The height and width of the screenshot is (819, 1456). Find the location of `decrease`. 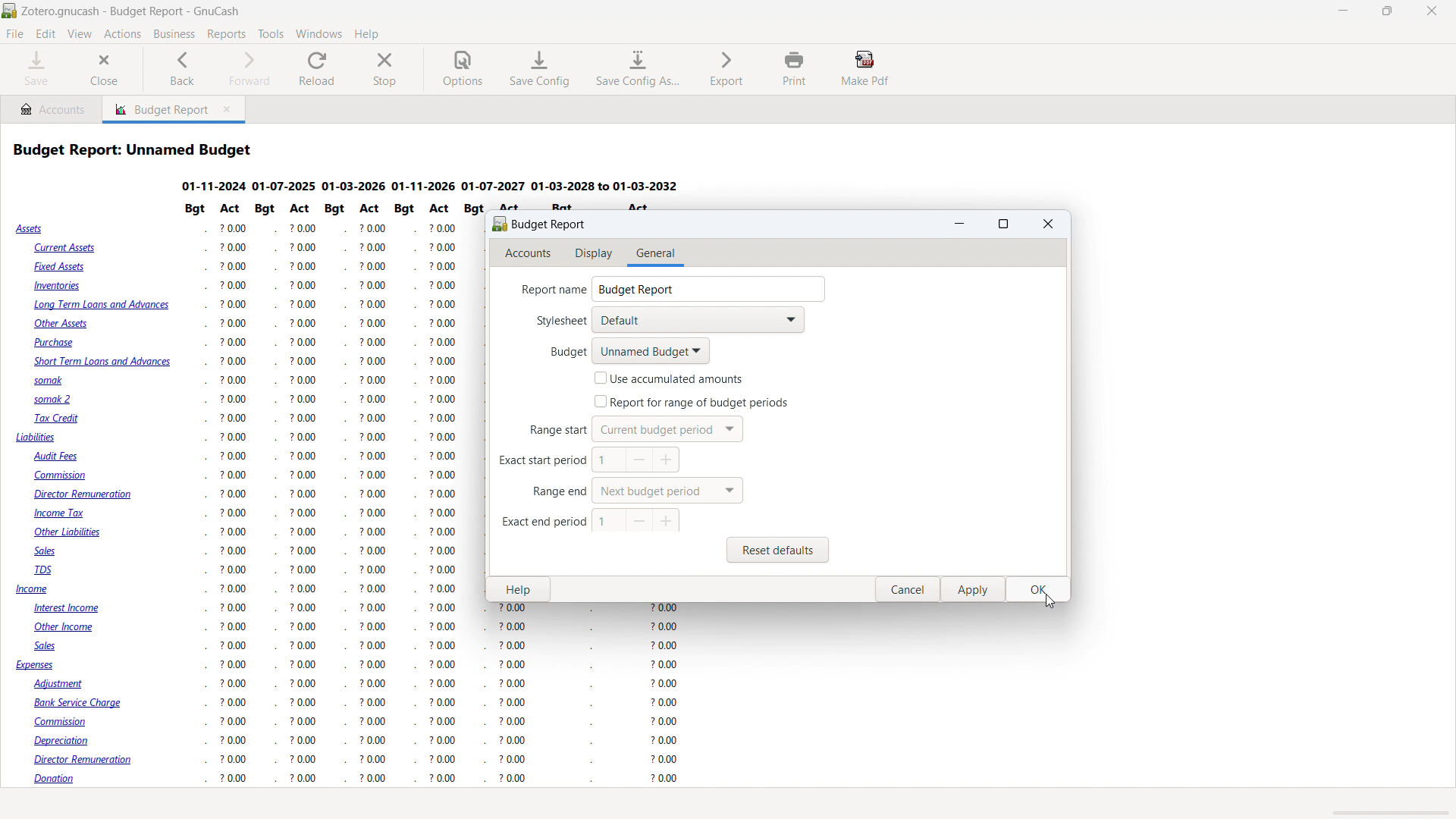

decrease is located at coordinates (641, 460).